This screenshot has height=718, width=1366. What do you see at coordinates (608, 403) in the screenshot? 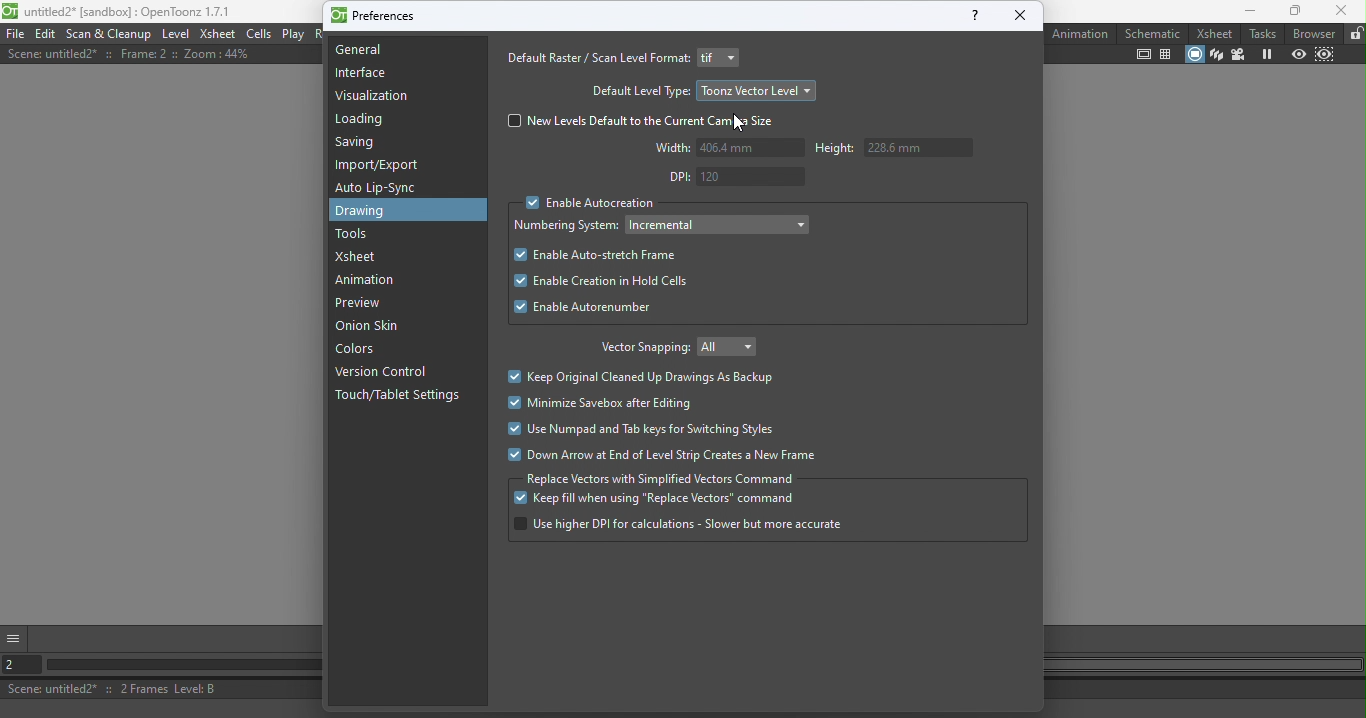
I see `Minimize savebox after editing` at bounding box center [608, 403].